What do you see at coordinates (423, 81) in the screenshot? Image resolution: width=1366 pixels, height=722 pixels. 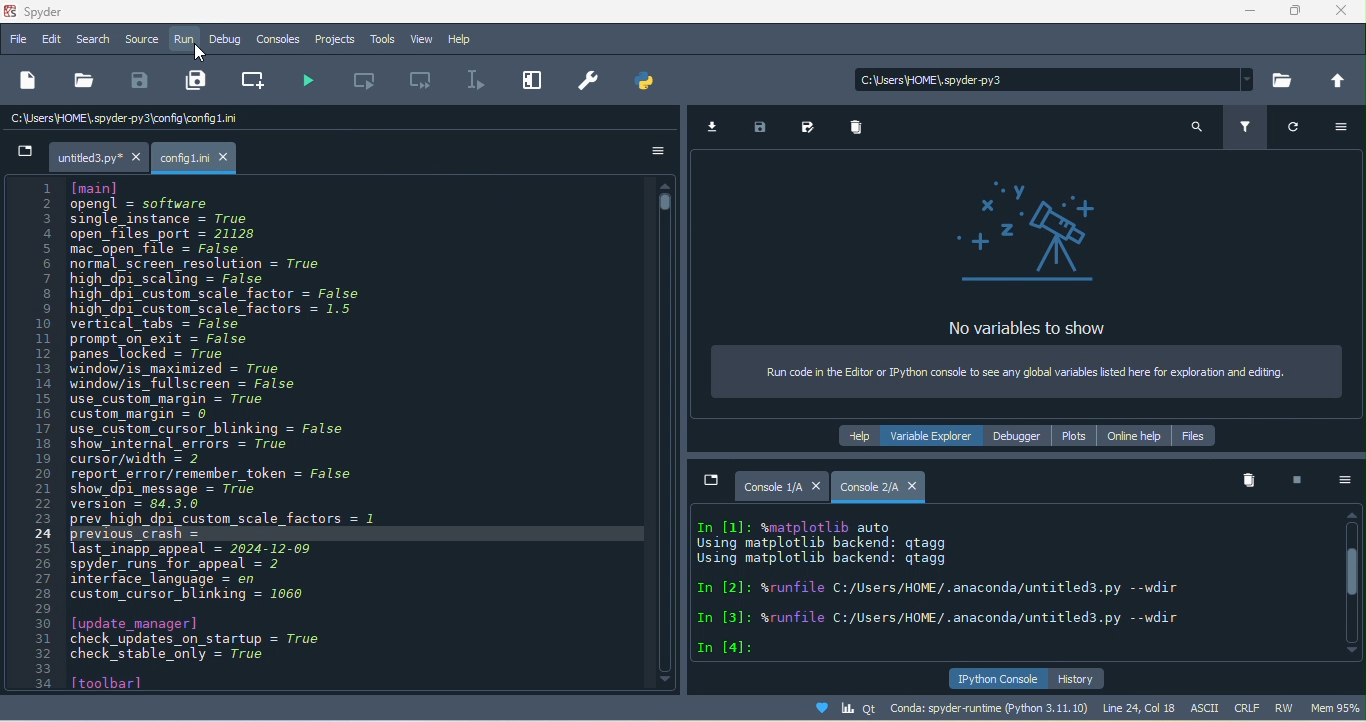 I see `run current cell and go to the next one` at bounding box center [423, 81].